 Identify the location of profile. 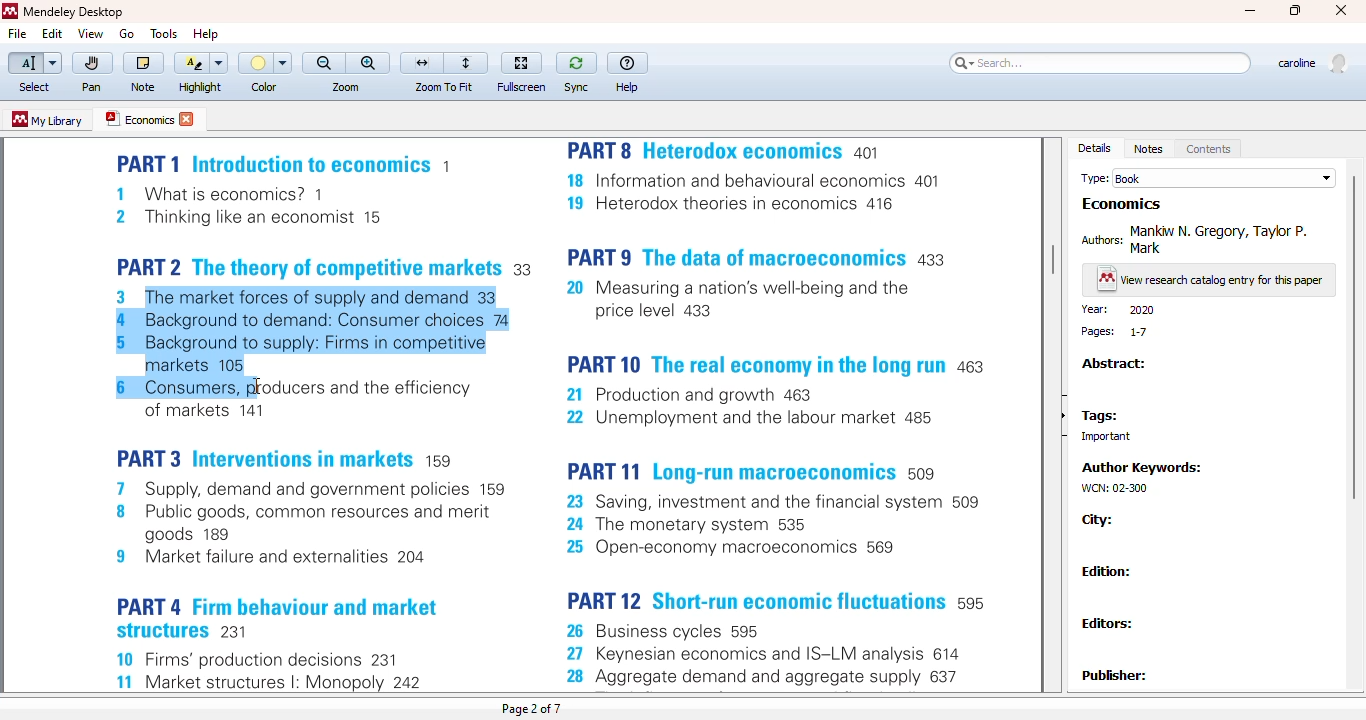
(1311, 64).